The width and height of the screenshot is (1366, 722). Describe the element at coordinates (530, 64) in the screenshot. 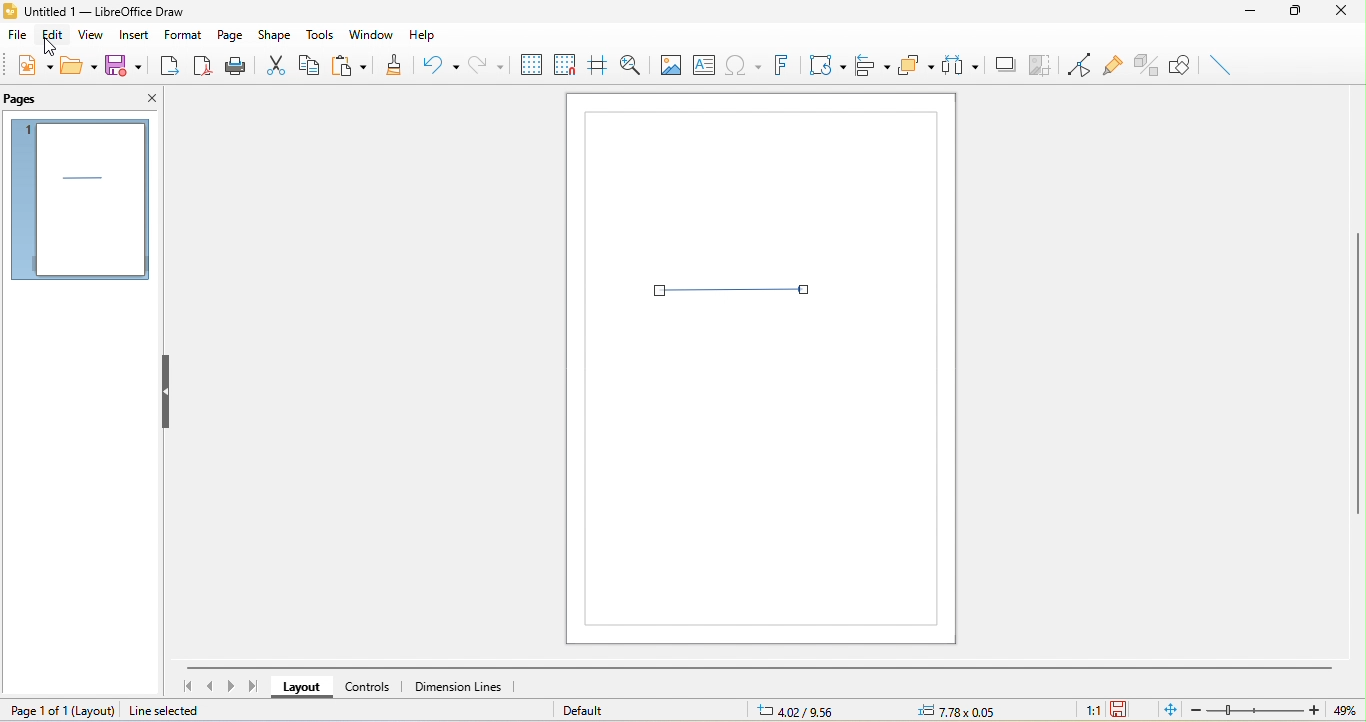

I see `display to grids` at that location.